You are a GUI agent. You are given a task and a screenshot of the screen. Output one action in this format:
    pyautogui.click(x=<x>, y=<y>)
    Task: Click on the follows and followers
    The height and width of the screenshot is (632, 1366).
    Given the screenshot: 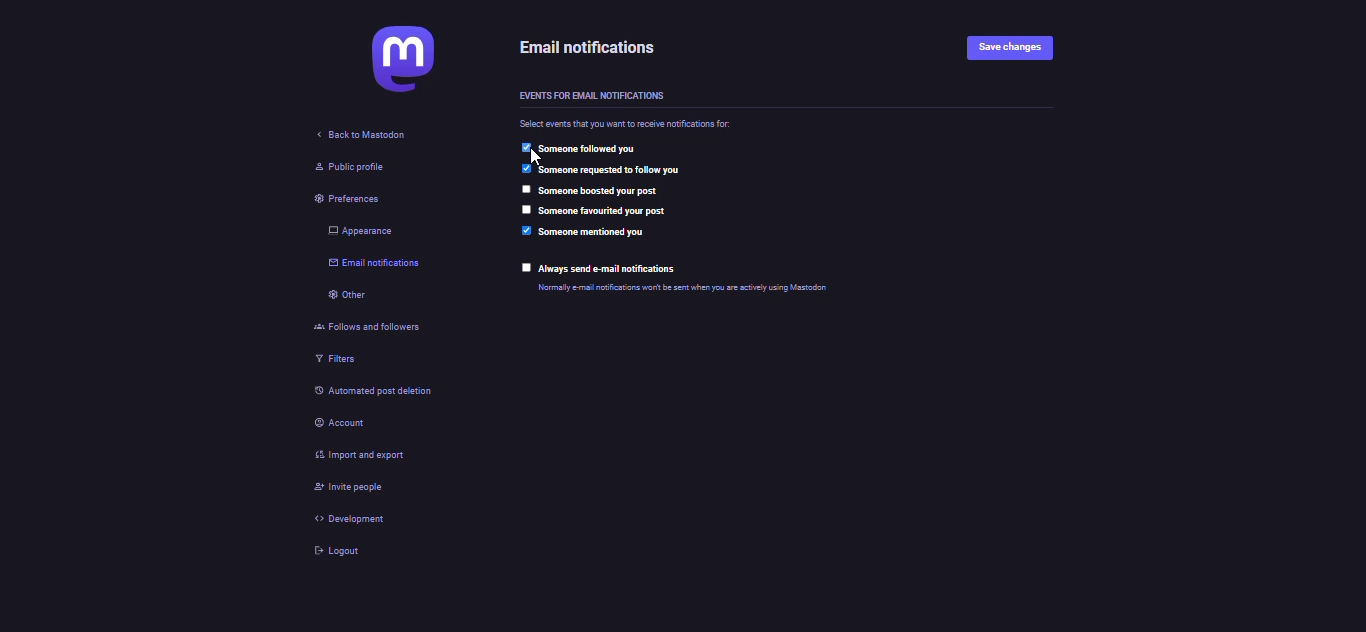 What is the action you would take?
    pyautogui.click(x=366, y=326)
    